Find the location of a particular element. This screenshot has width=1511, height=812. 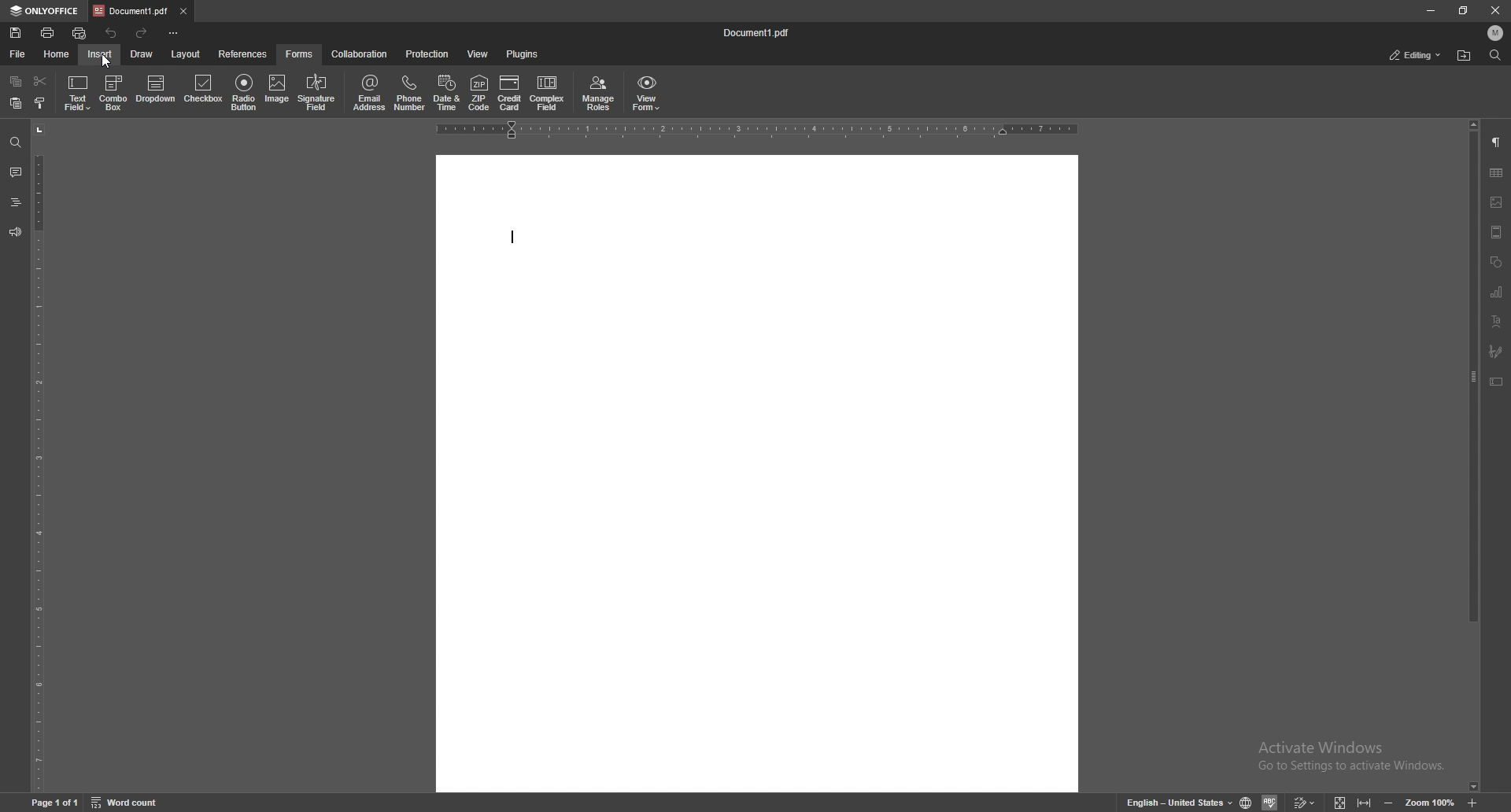

text box is located at coordinates (1498, 382).